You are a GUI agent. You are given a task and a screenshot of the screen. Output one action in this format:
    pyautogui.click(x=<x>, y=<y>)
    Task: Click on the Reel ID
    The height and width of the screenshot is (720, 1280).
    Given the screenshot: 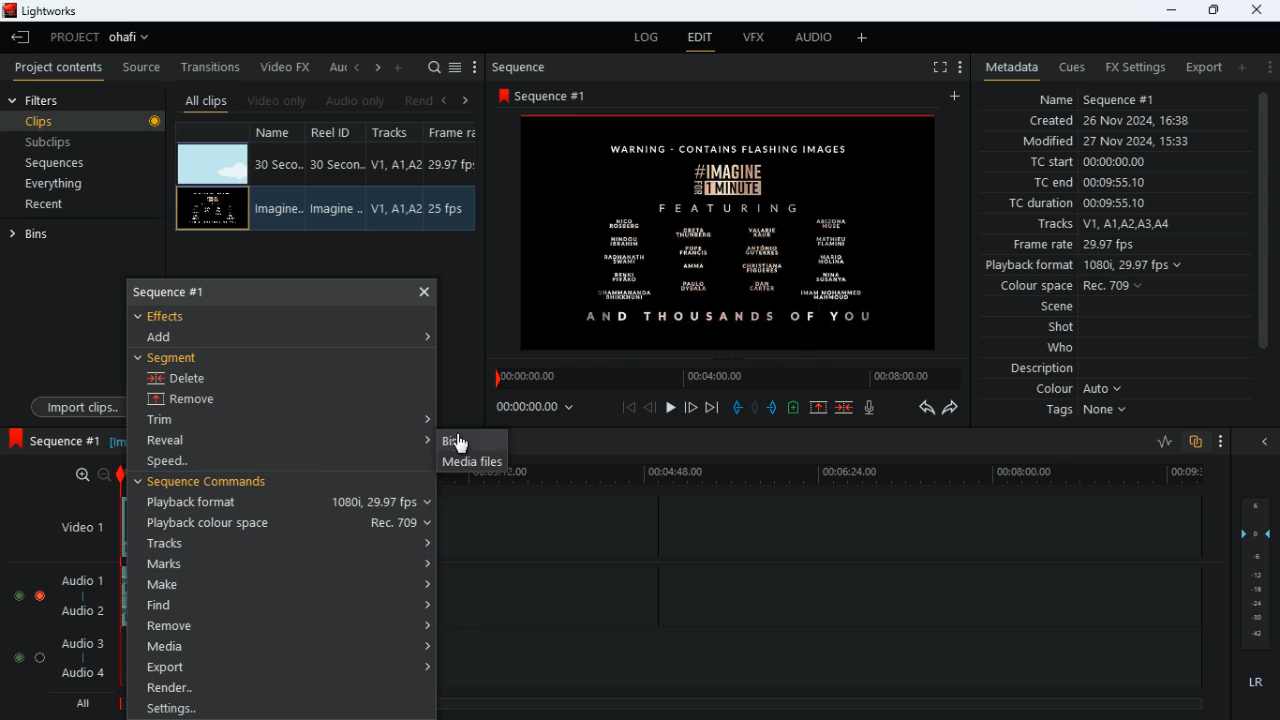 What is the action you would take?
    pyautogui.click(x=338, y=165)
    